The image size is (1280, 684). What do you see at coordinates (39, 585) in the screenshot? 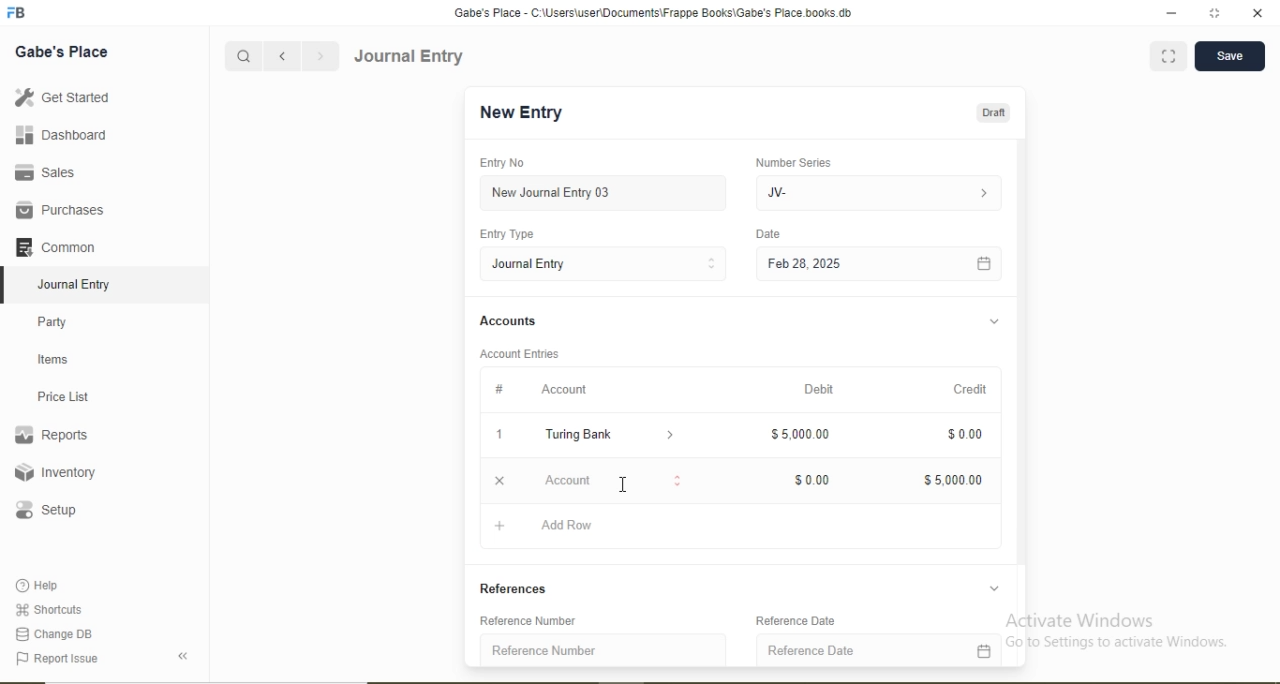
I see `Help` at bounding box center [39, 585].